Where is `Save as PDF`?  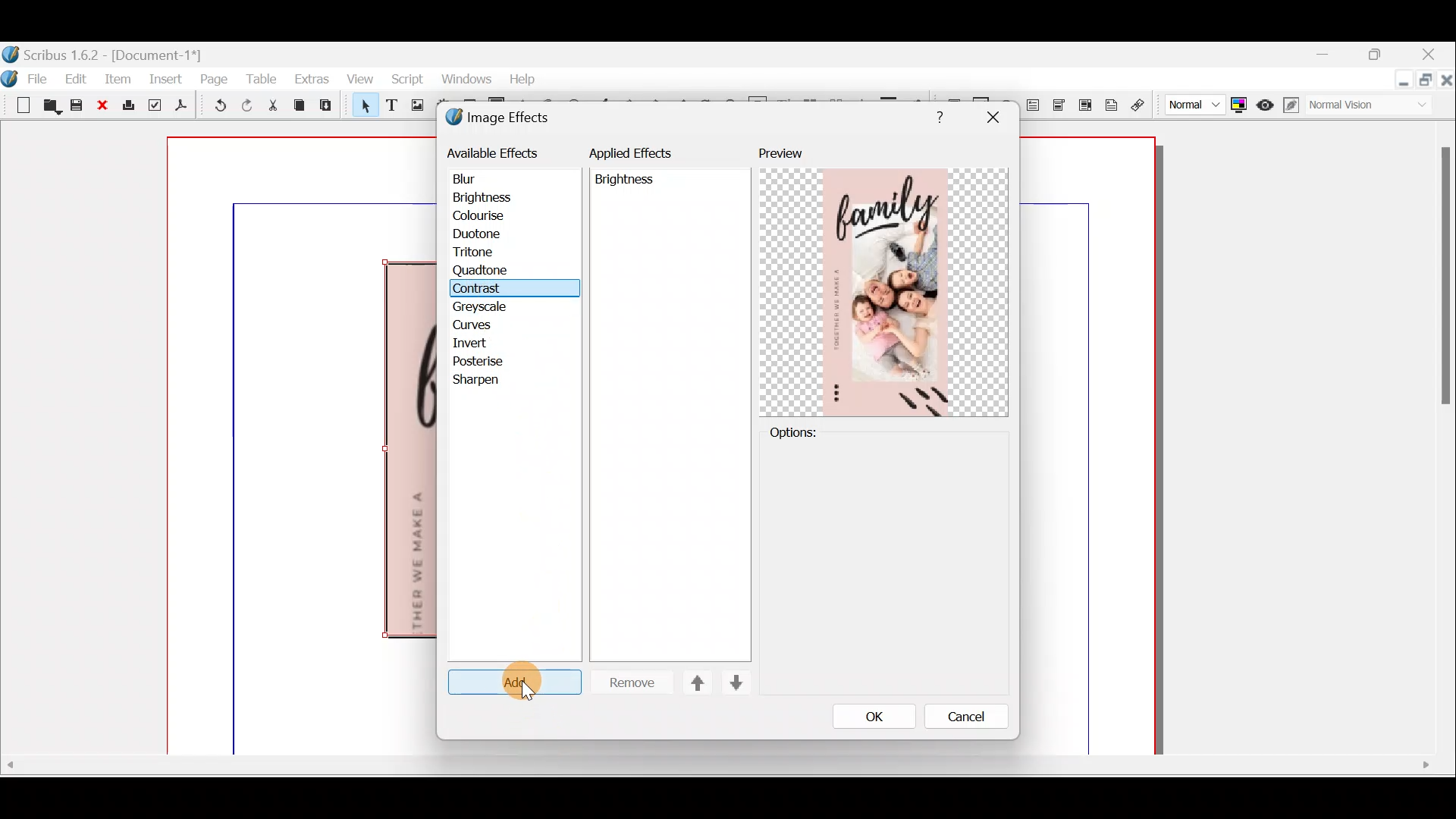 Save as PDF is located at coordinates (179, 108).